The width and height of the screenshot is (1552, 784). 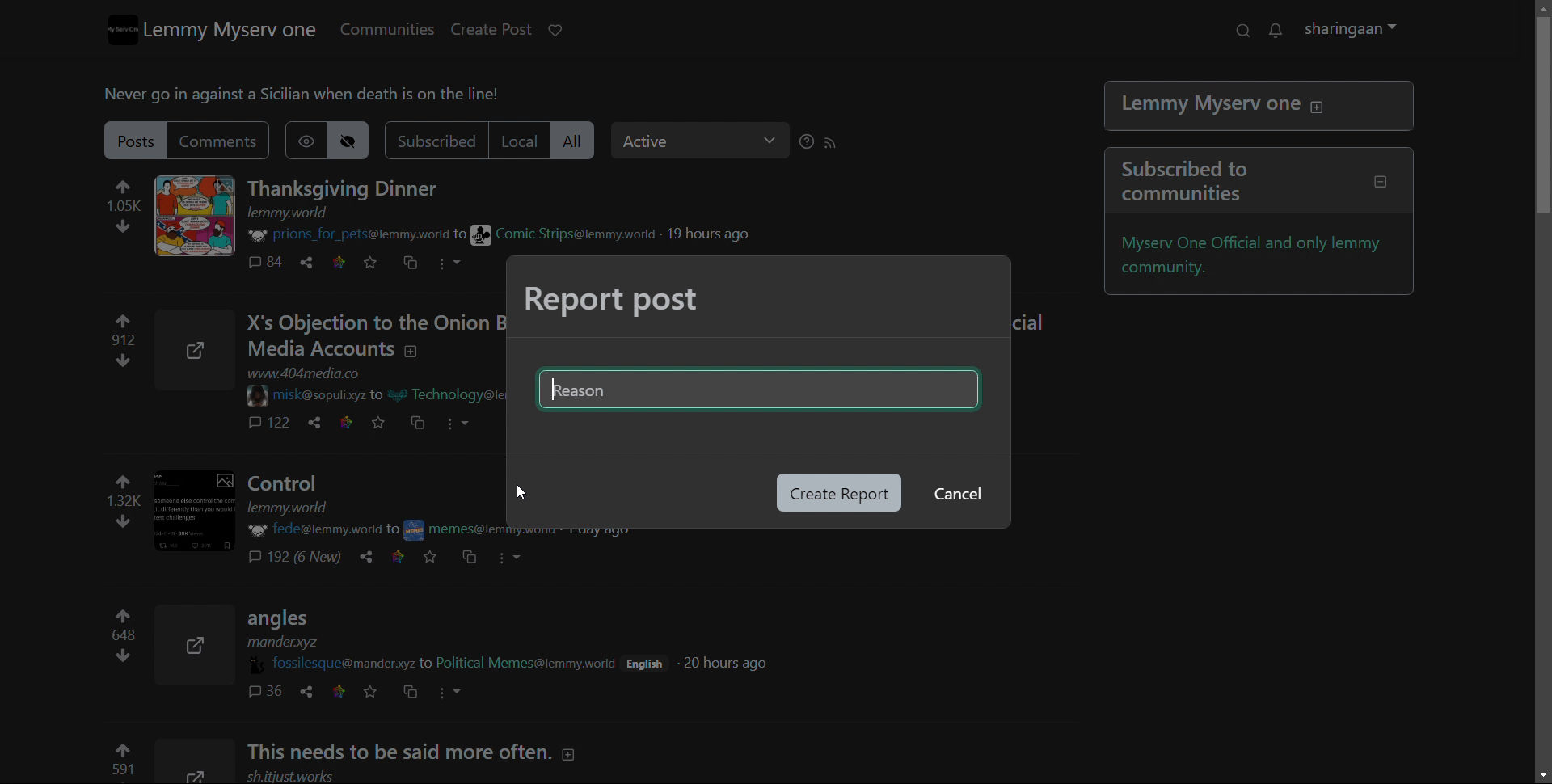 What do you see at coordinates (403, 555) in the screenshot?
I see `link` at bounding box center [403, 555].